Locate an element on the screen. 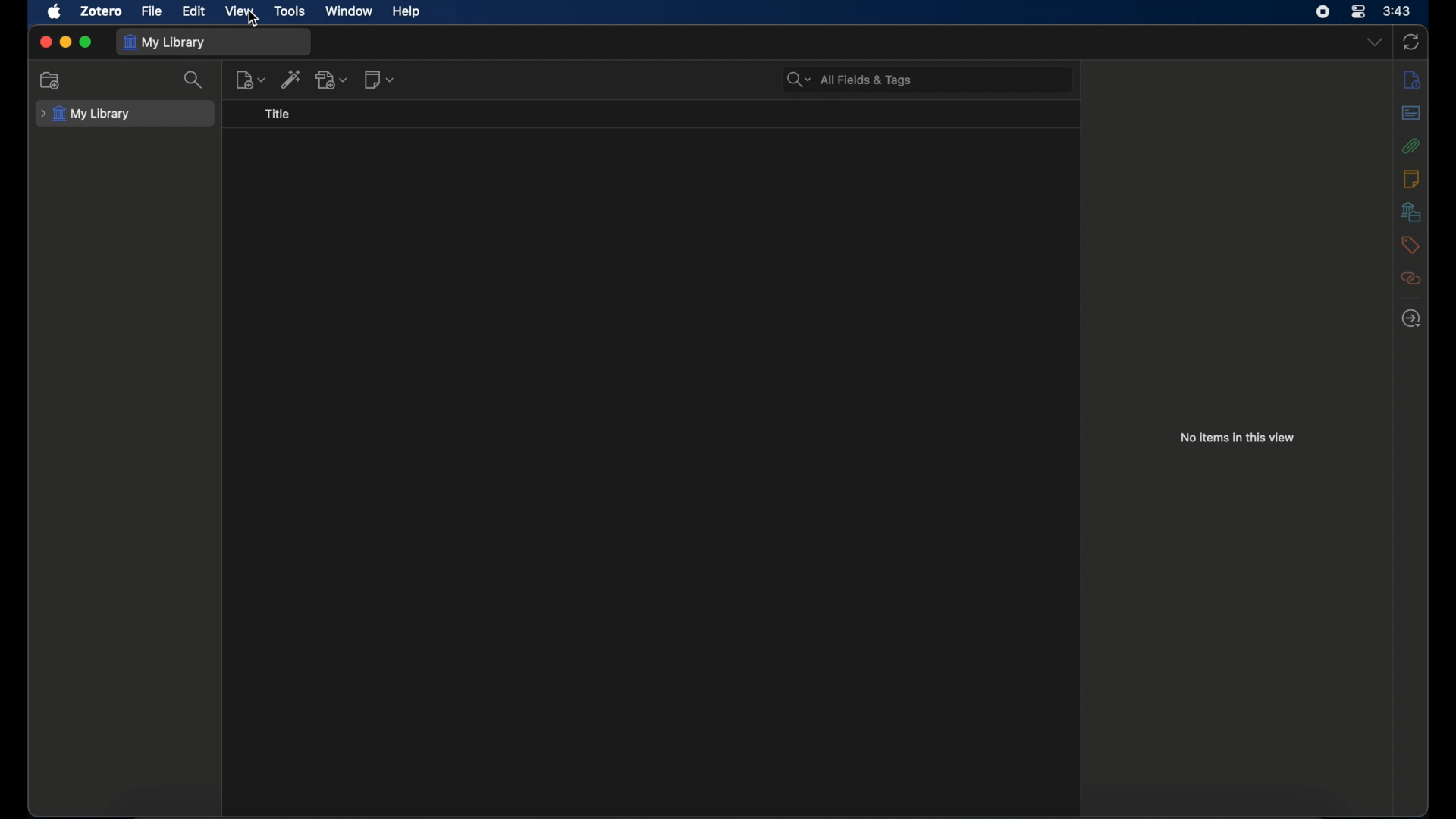  my library is located at coordinates (165, 42).